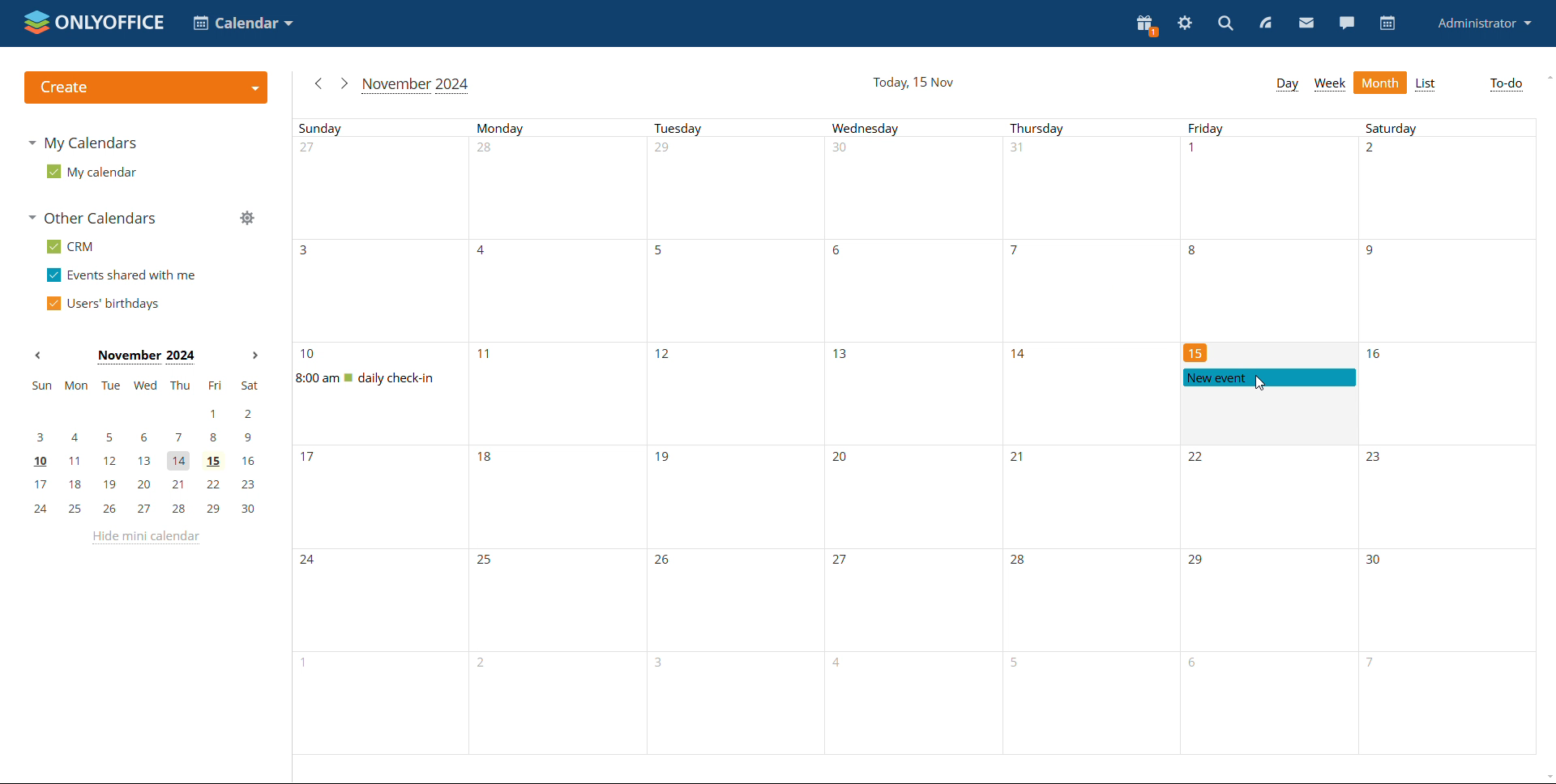  I want to click on Number, so click(488, 151).